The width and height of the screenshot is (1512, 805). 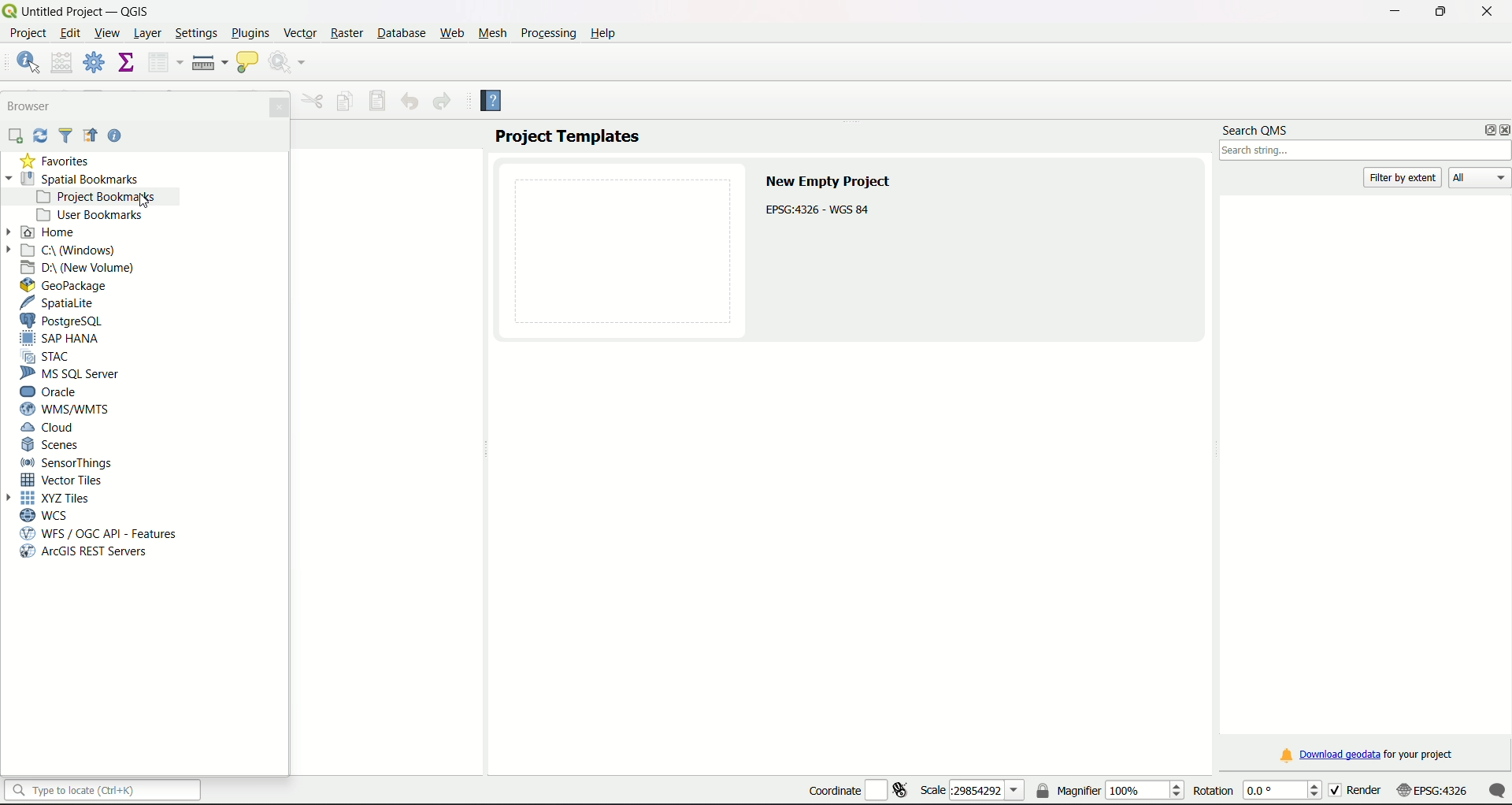 I want to click on Arrow, so click(x=13, y=499).